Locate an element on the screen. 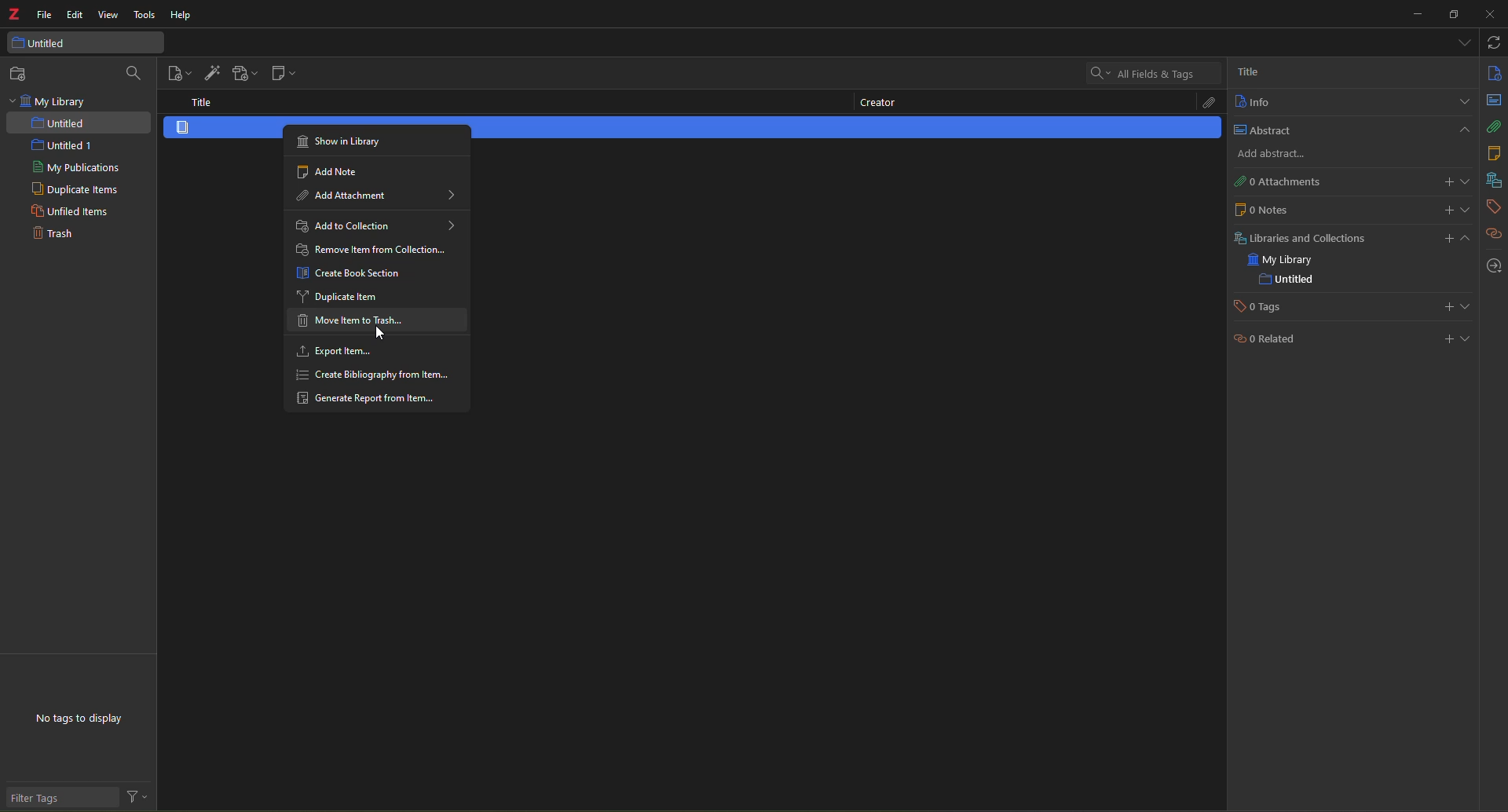 Image resolution: width=1508 pixels, height=812 pixels. add is located at coordinates (1455, 237).